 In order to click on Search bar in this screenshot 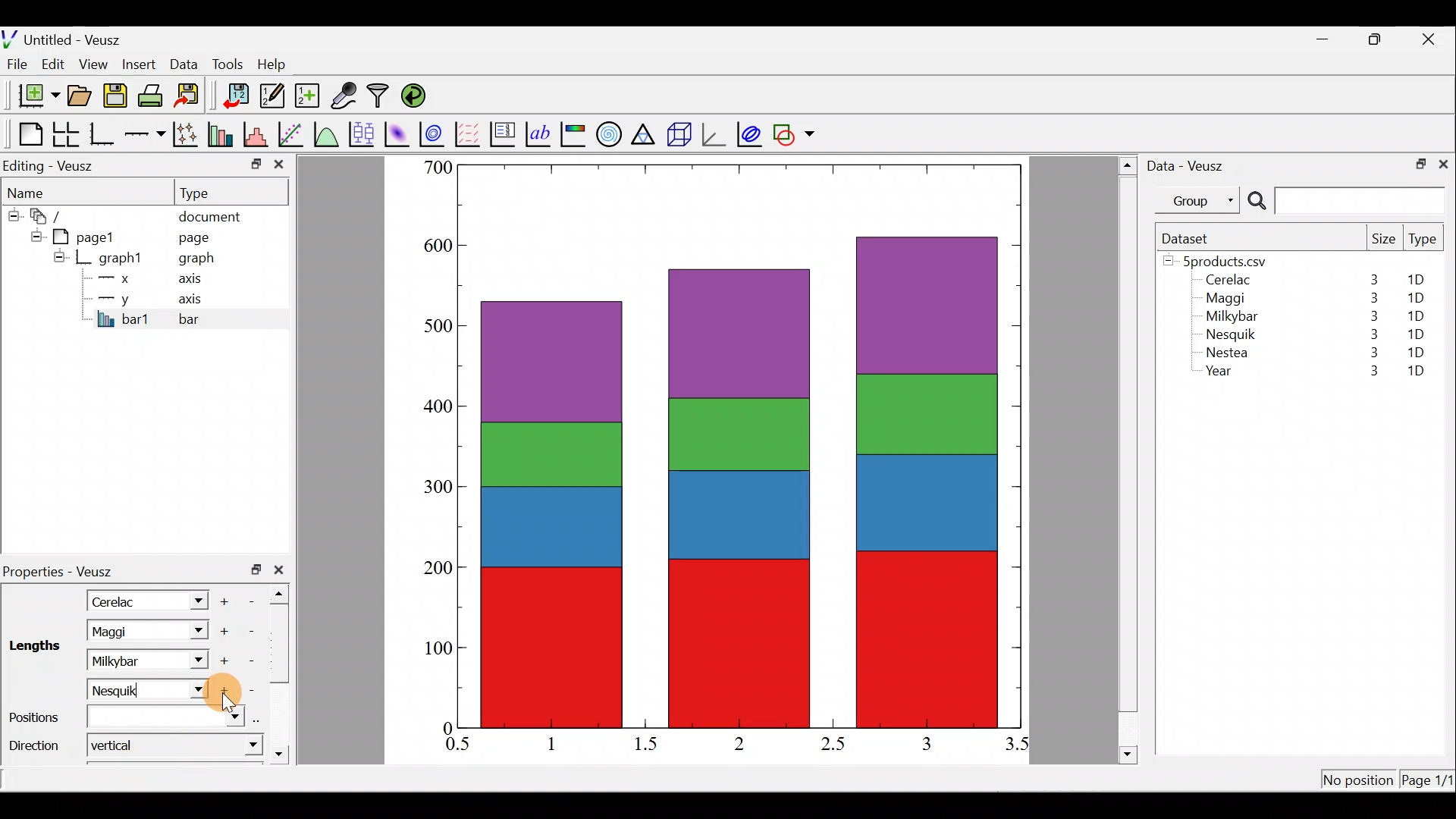, I will do `click(1344, 201)`.